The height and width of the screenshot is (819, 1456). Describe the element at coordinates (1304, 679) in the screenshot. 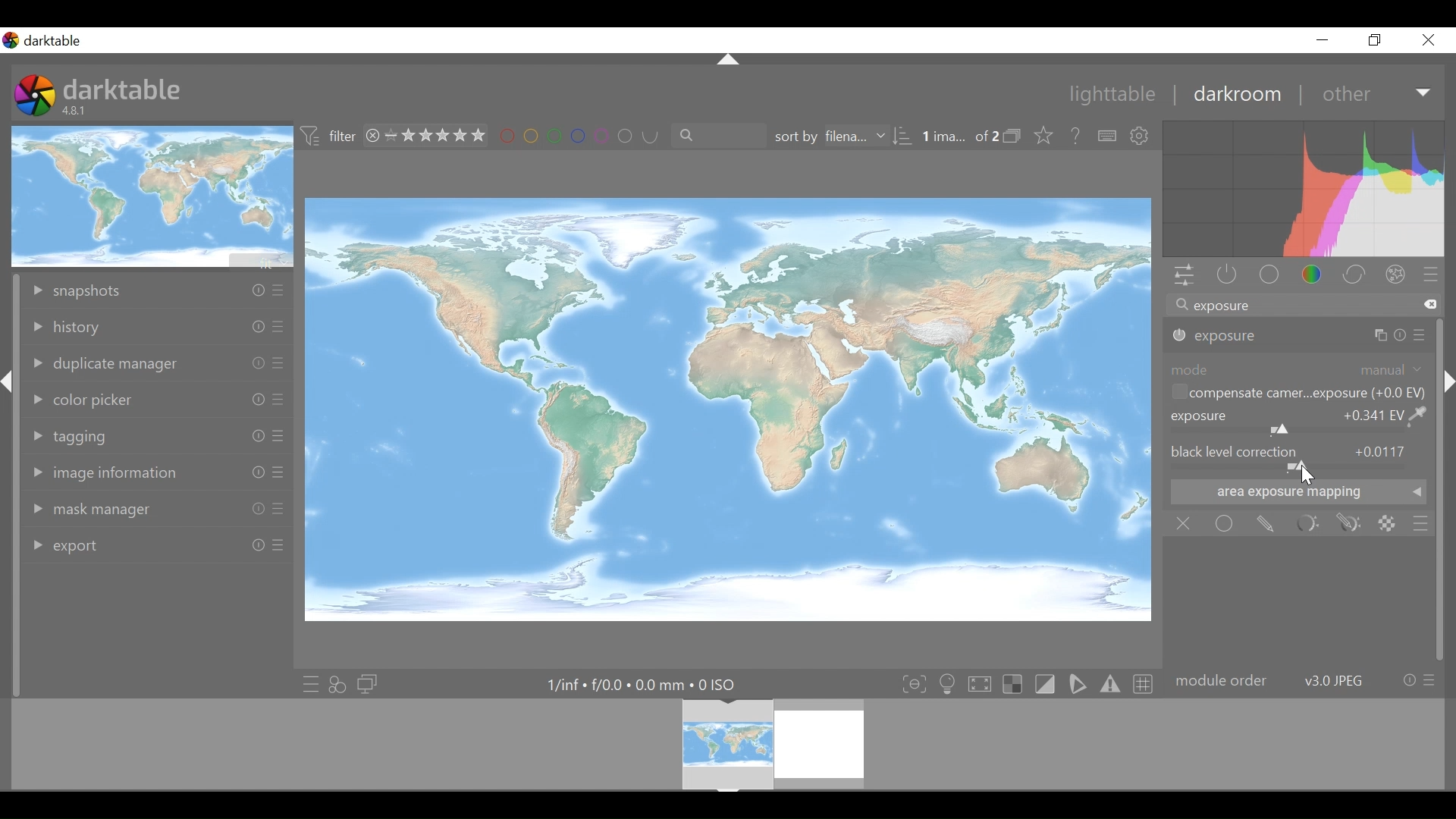

I see `module order` at that location.